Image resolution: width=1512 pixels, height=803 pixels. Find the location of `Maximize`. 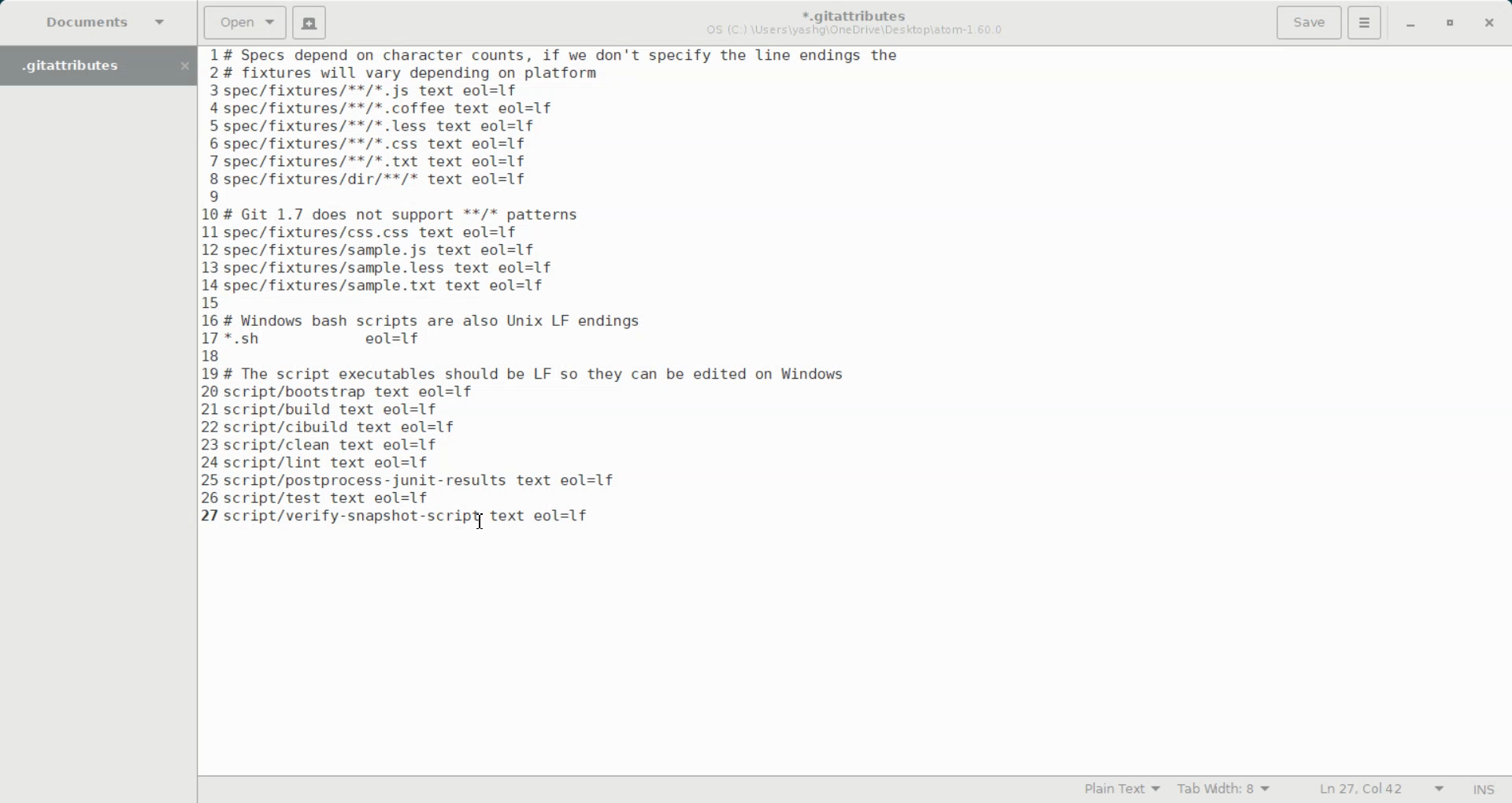

Maximize is located at coordinates (1451, 24).